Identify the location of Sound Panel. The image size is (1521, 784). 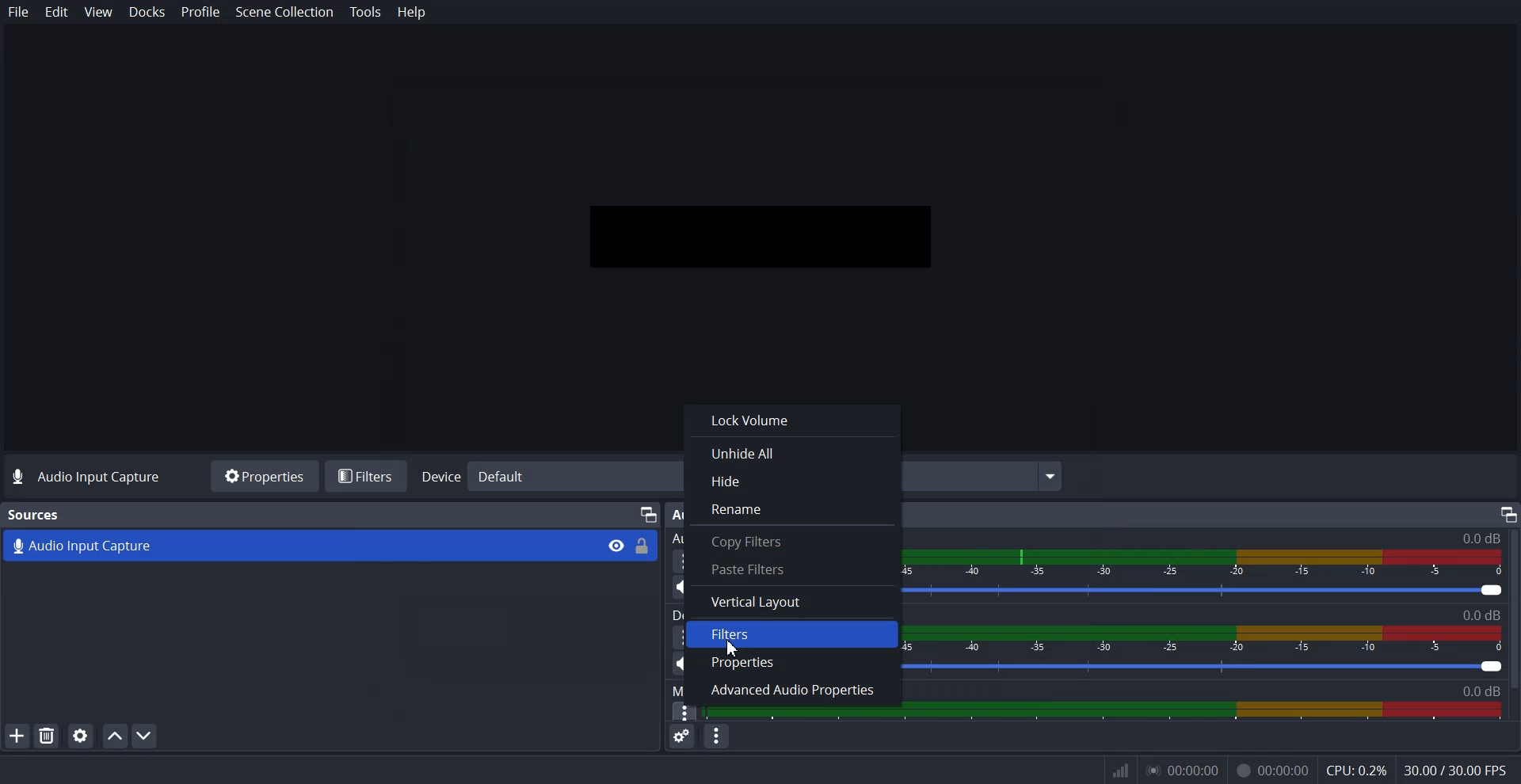
(1106, 712).